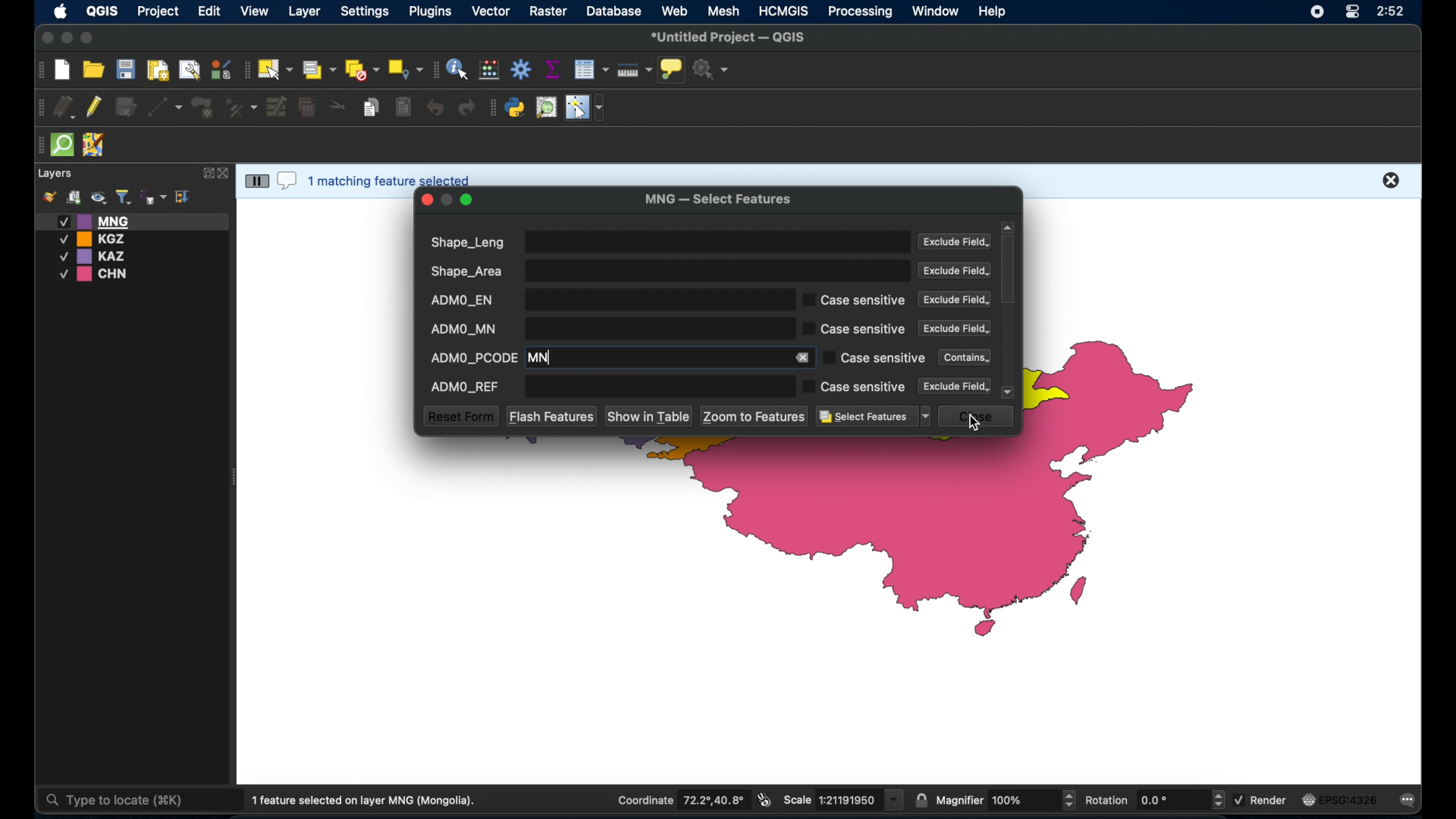 The width and height of the screenshot is (1456, 819). Describe the element at coordinates (125, 69) in the screenshot. I see `save project` at that location.